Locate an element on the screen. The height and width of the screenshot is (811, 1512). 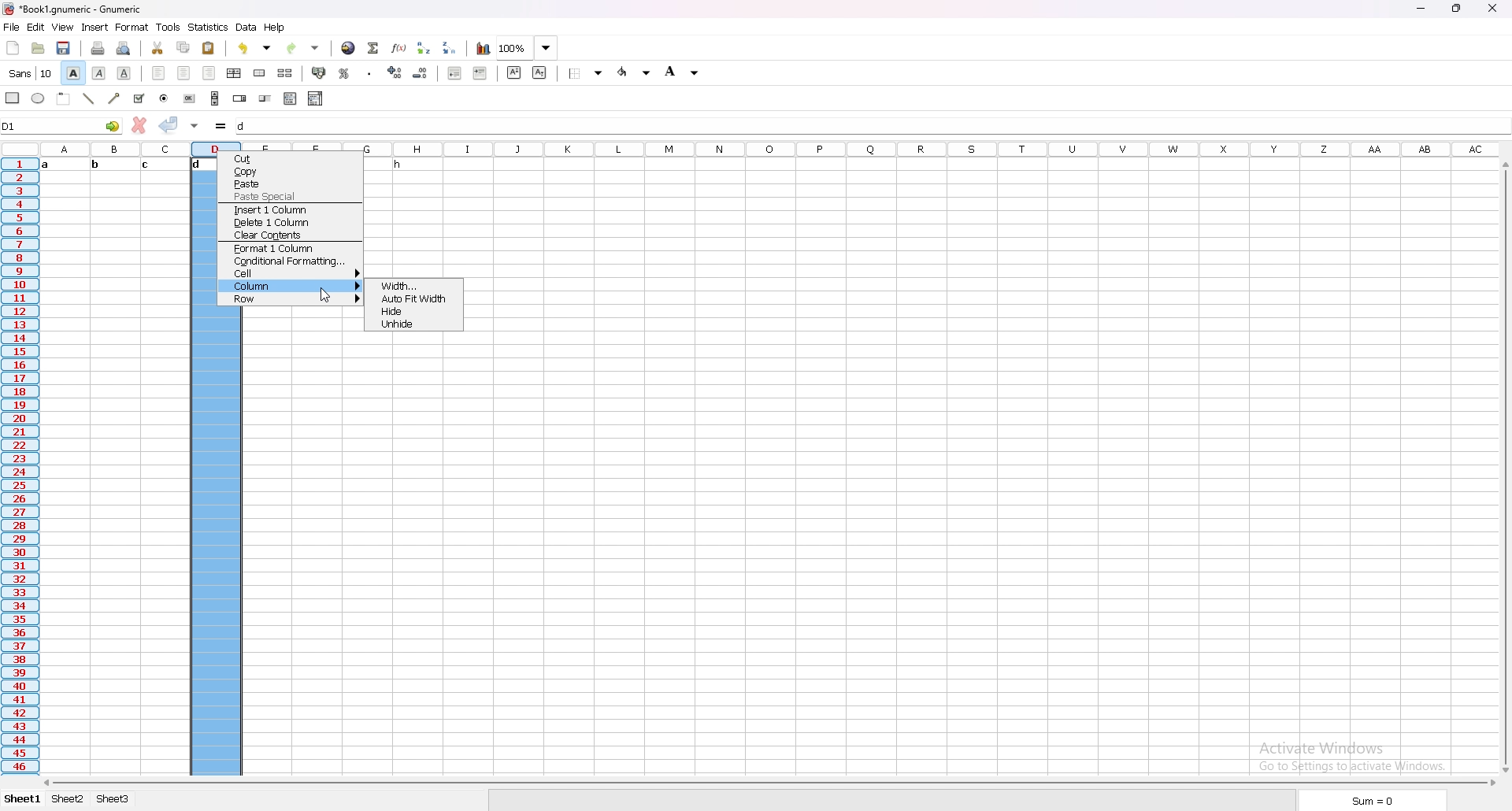
cell is located at coordinates (291, 273).